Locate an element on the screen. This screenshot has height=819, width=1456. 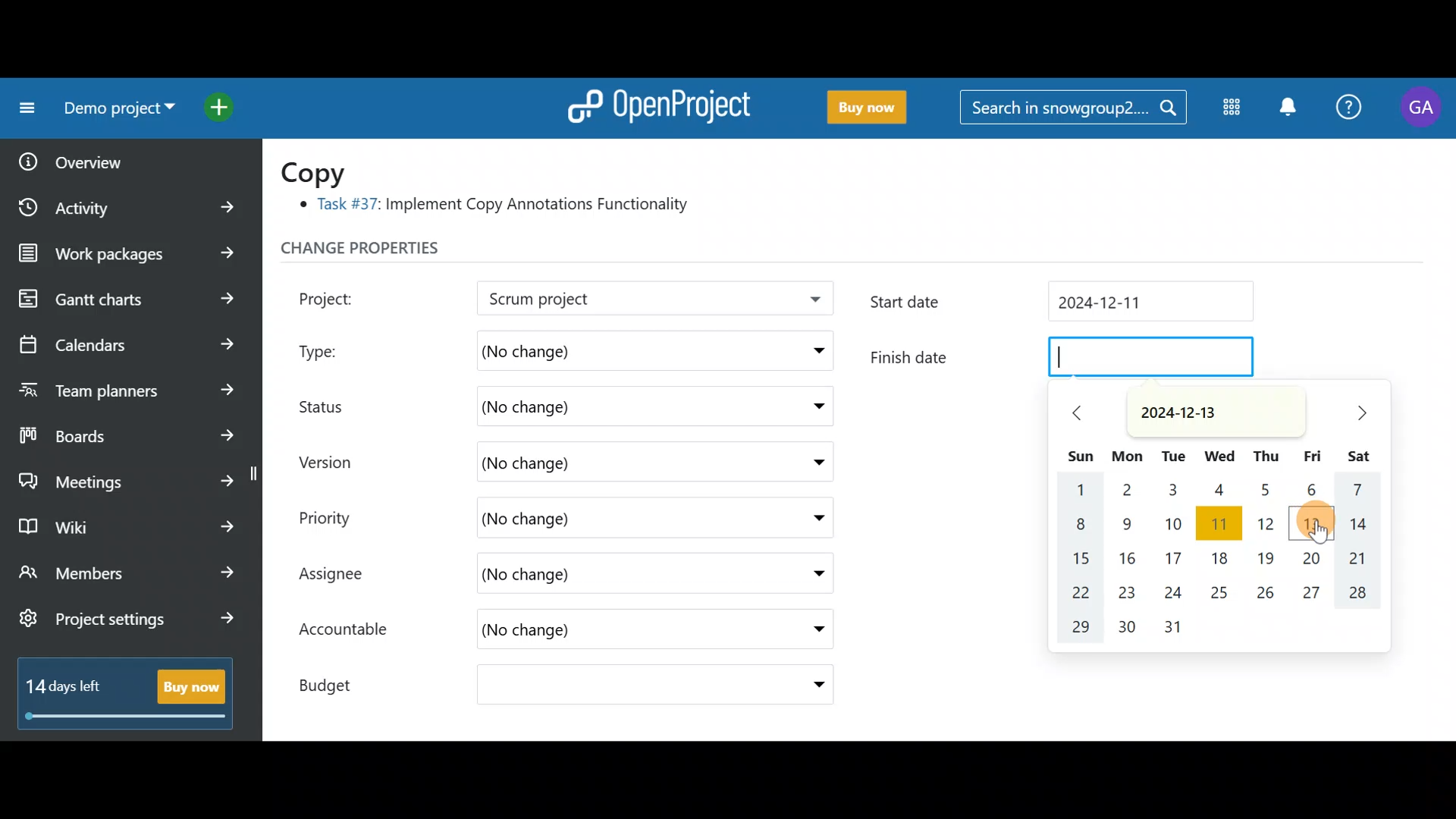
Collapse project menu is located at coordinates (24, 108).